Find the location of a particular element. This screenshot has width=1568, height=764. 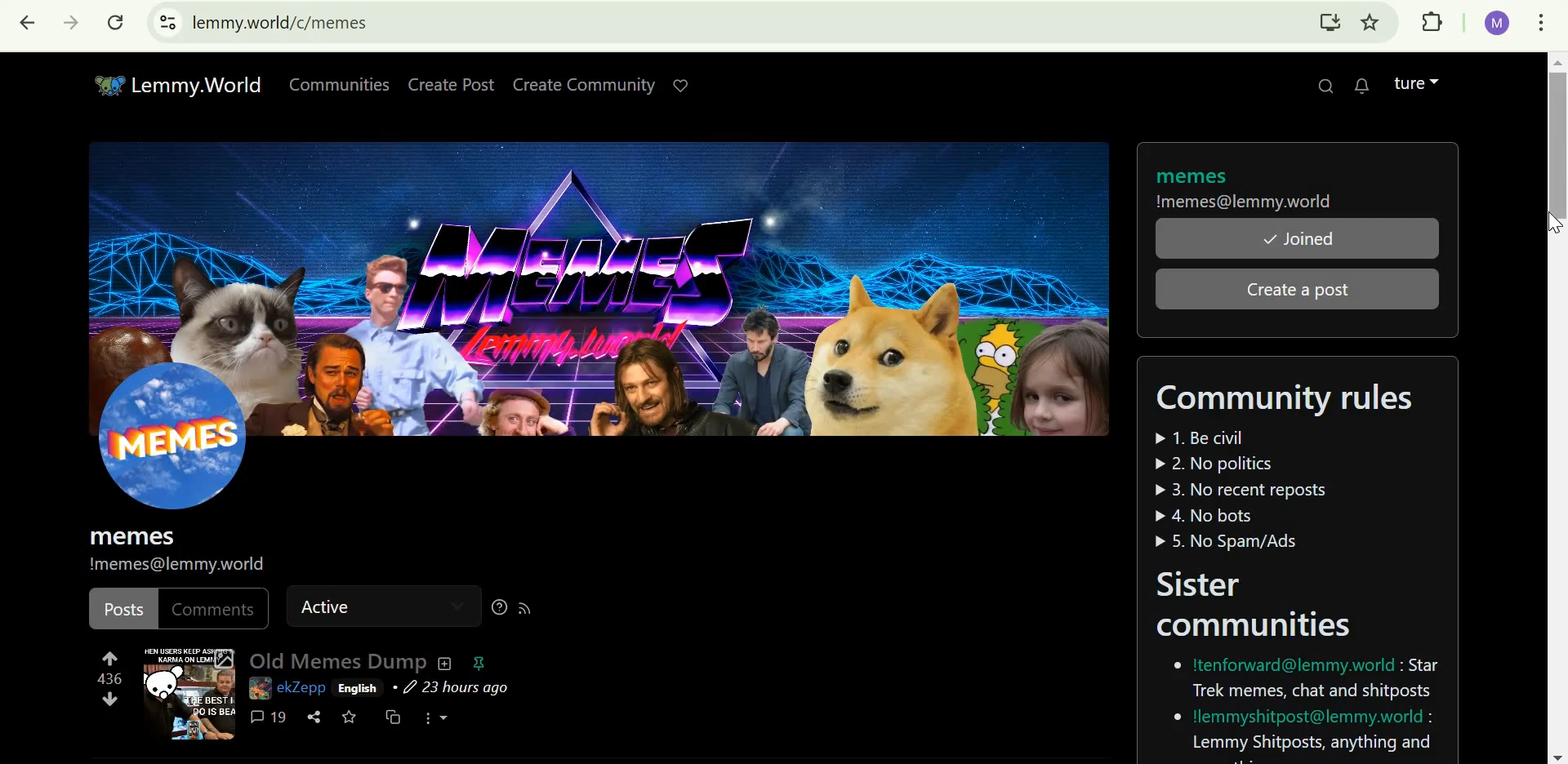

comments is located at coordinates (215, 607).